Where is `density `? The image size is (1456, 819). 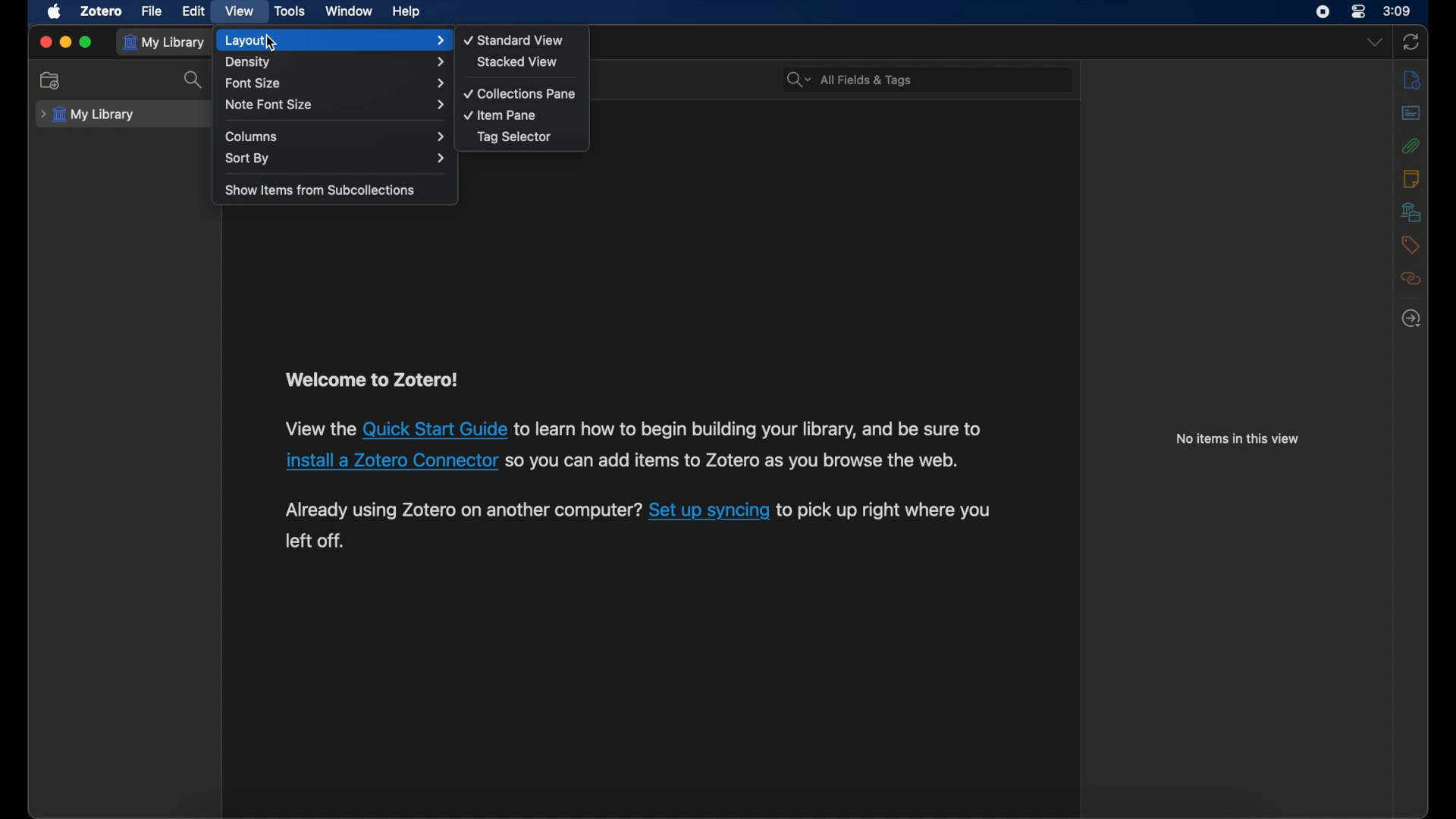
density  is located at coordinates (337, 62).